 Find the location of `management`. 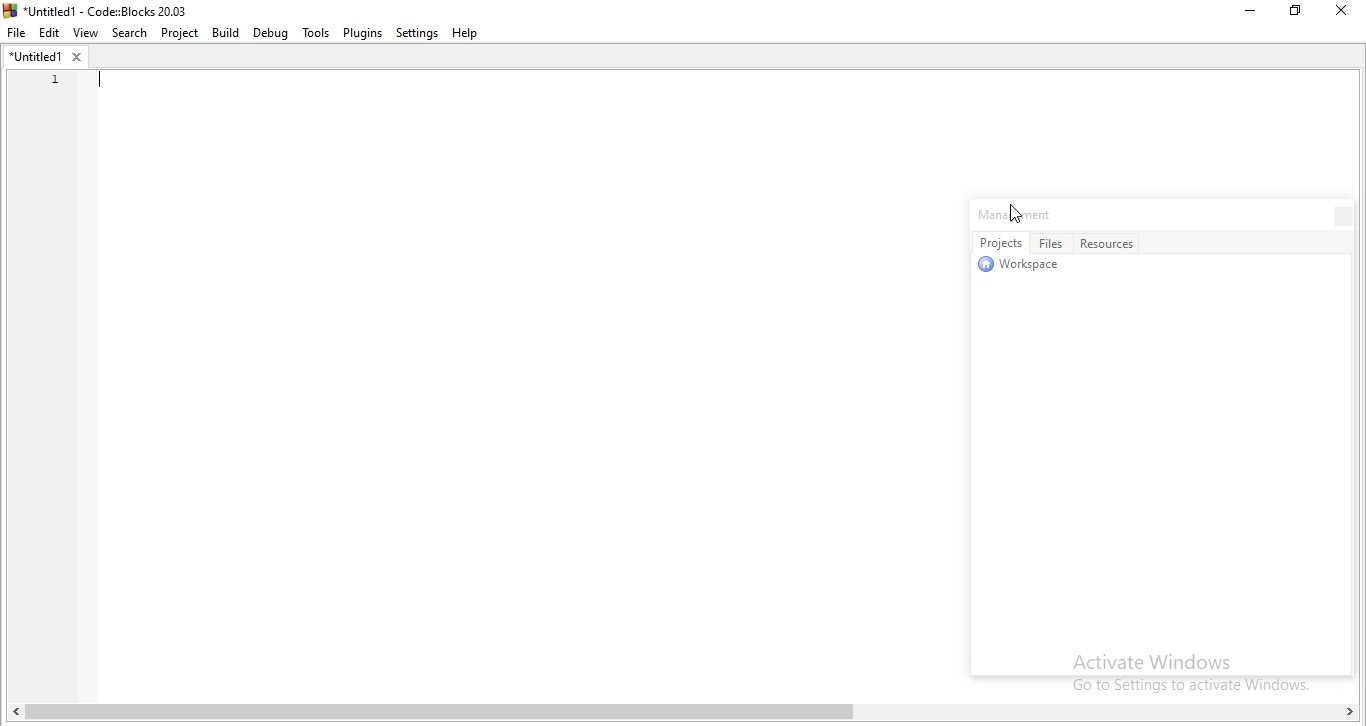

management is located at coordinates (1019, 215).